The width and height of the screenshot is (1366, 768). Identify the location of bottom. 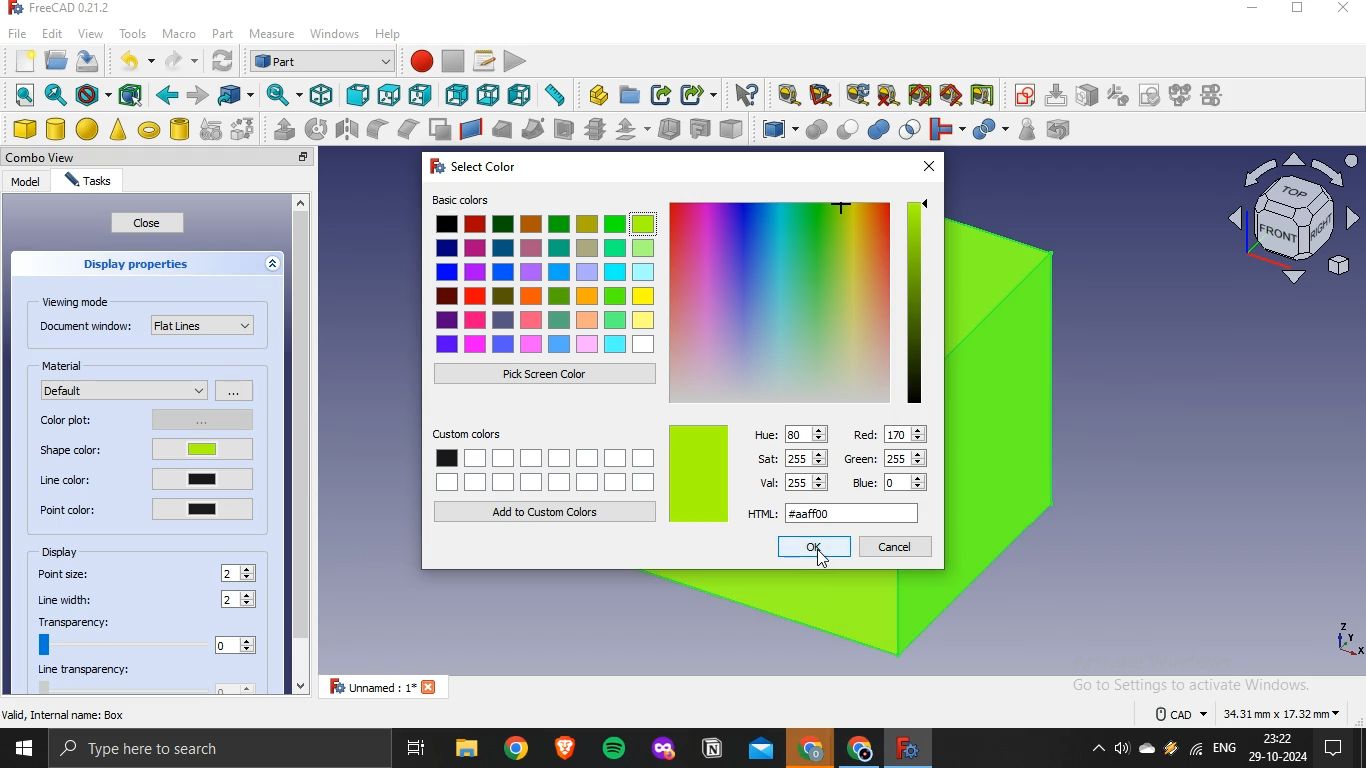
(489, 95).